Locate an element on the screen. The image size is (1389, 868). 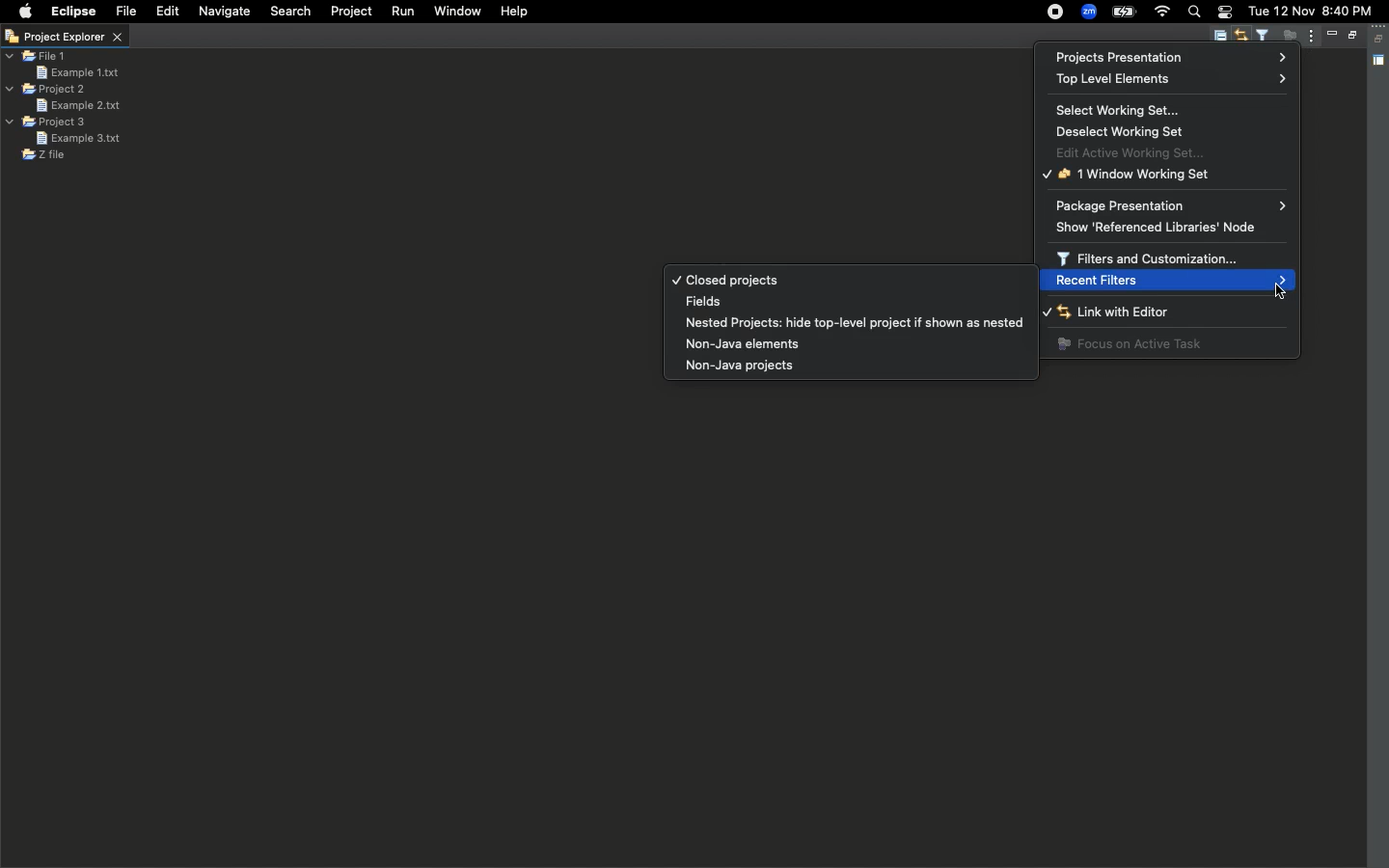
1 window working set is located at coordinates (1130, 175).